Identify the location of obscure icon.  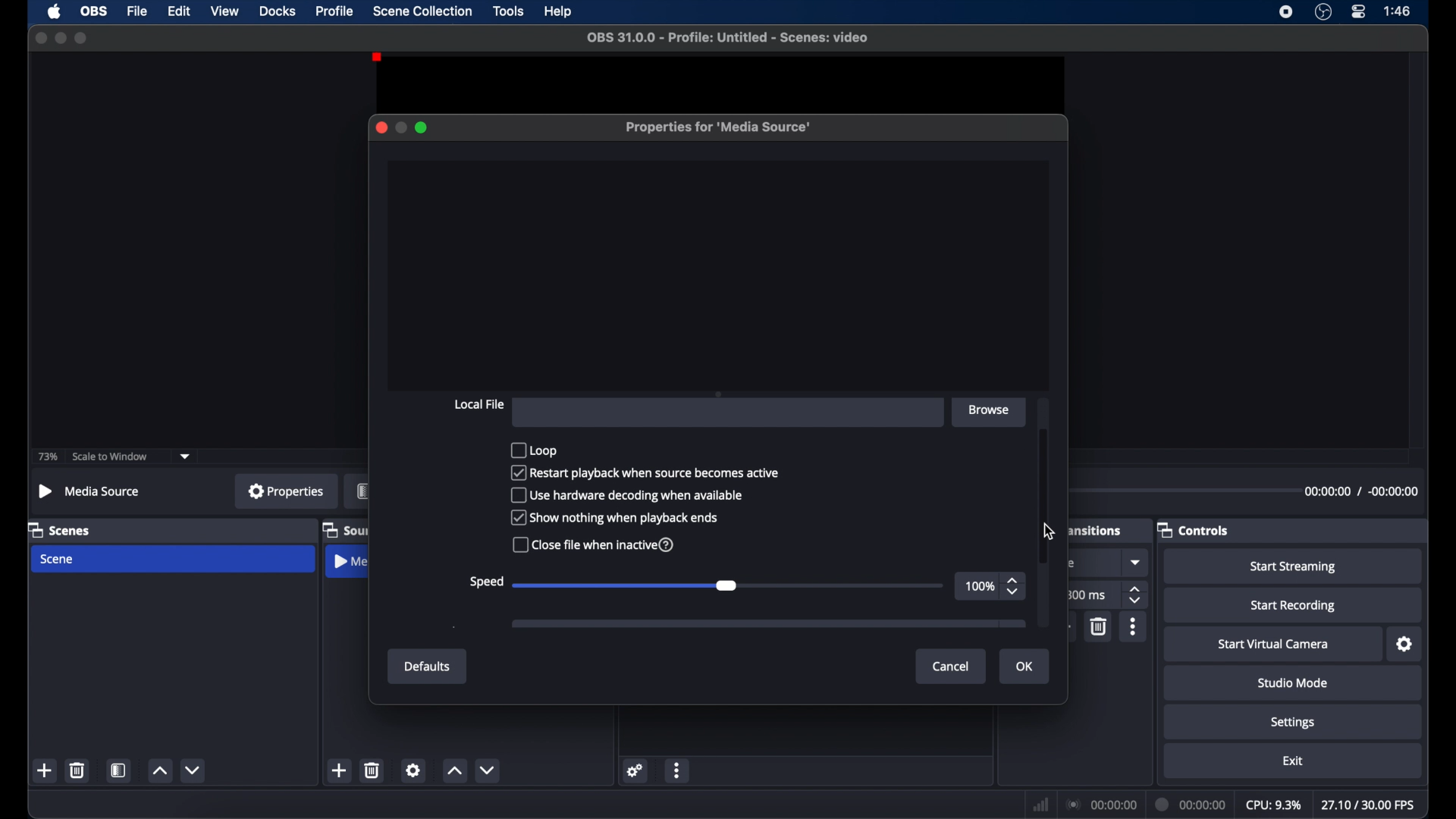
(768, 624).